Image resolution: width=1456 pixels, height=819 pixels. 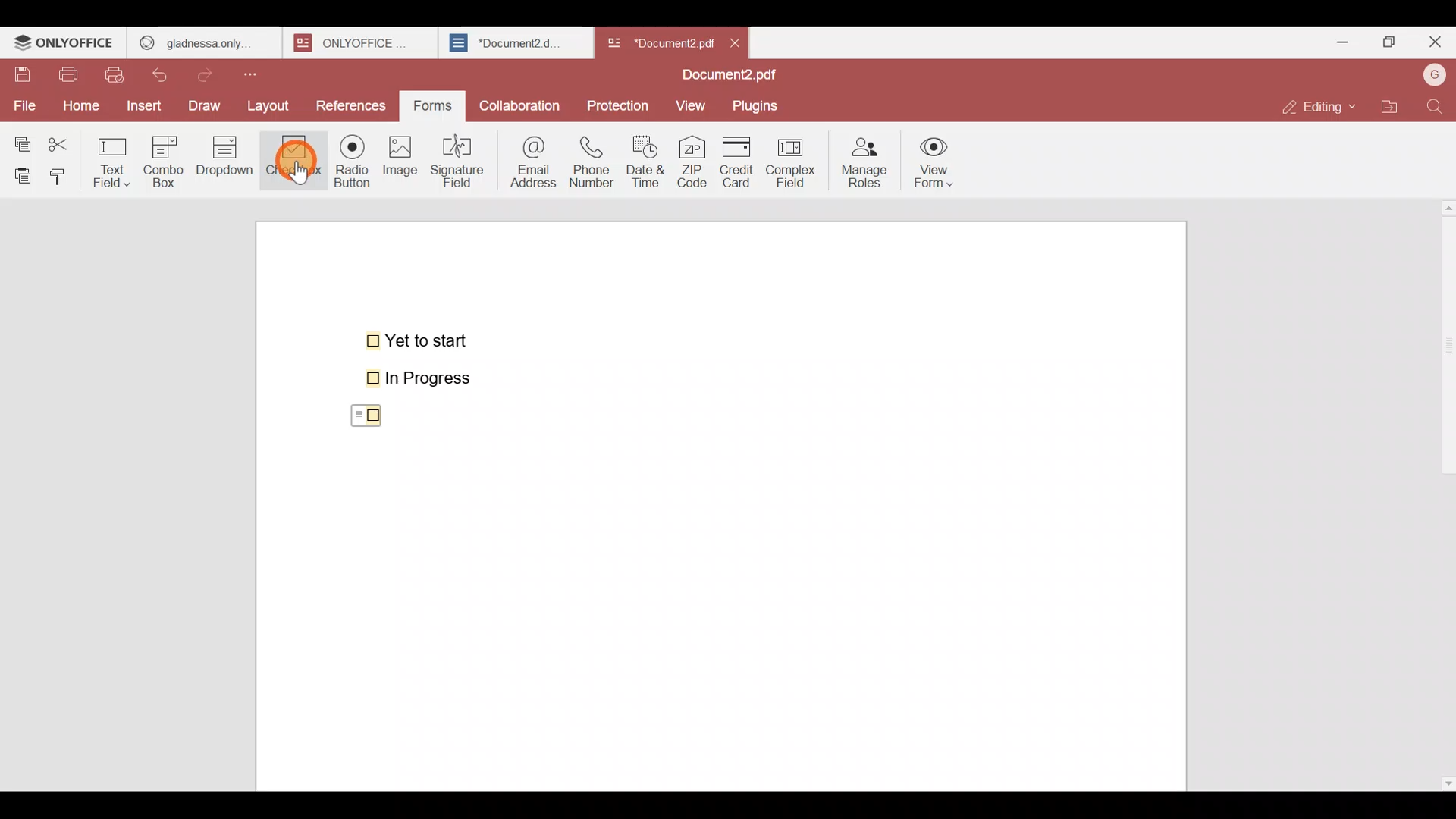 What do you see at coordinates (402, 167) in the screenshot?
I see `Image` at bounding box center [402, 167].